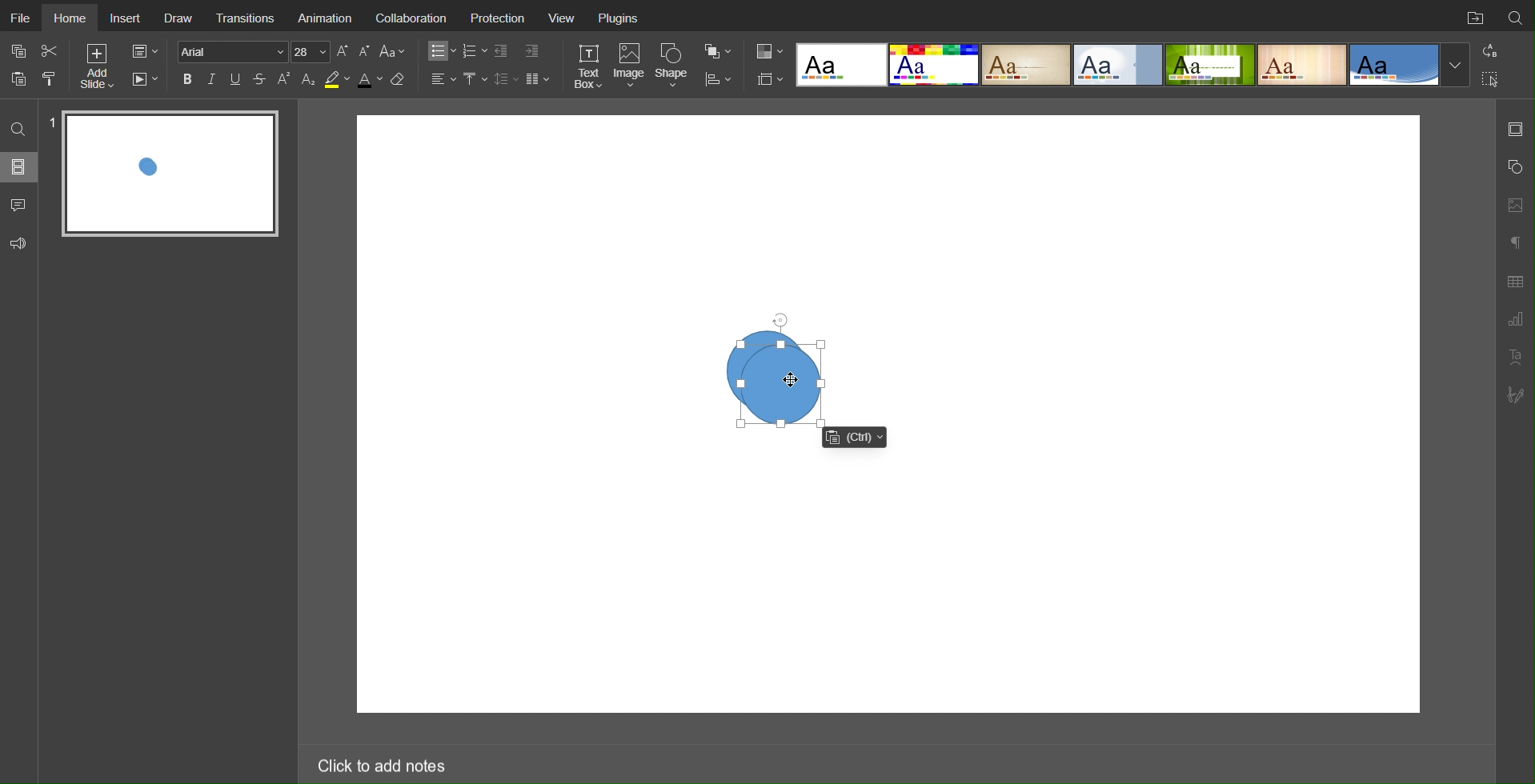 The width and height of the screenshot is (1535, 784). What do you see at coordinates (717, 50) in the screenshot?
I see `Arrangement` at bounding box center [717, 50].